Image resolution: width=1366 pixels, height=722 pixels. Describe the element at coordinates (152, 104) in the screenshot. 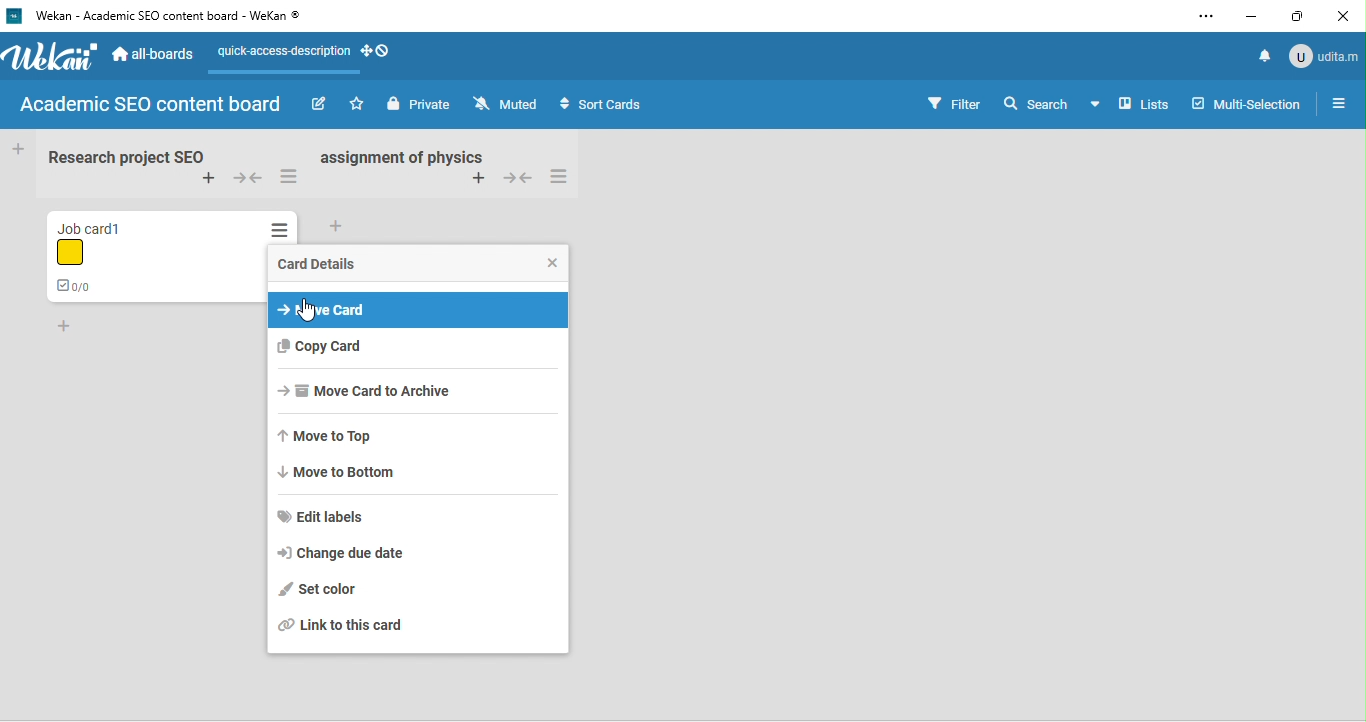

I see `board` at that location.